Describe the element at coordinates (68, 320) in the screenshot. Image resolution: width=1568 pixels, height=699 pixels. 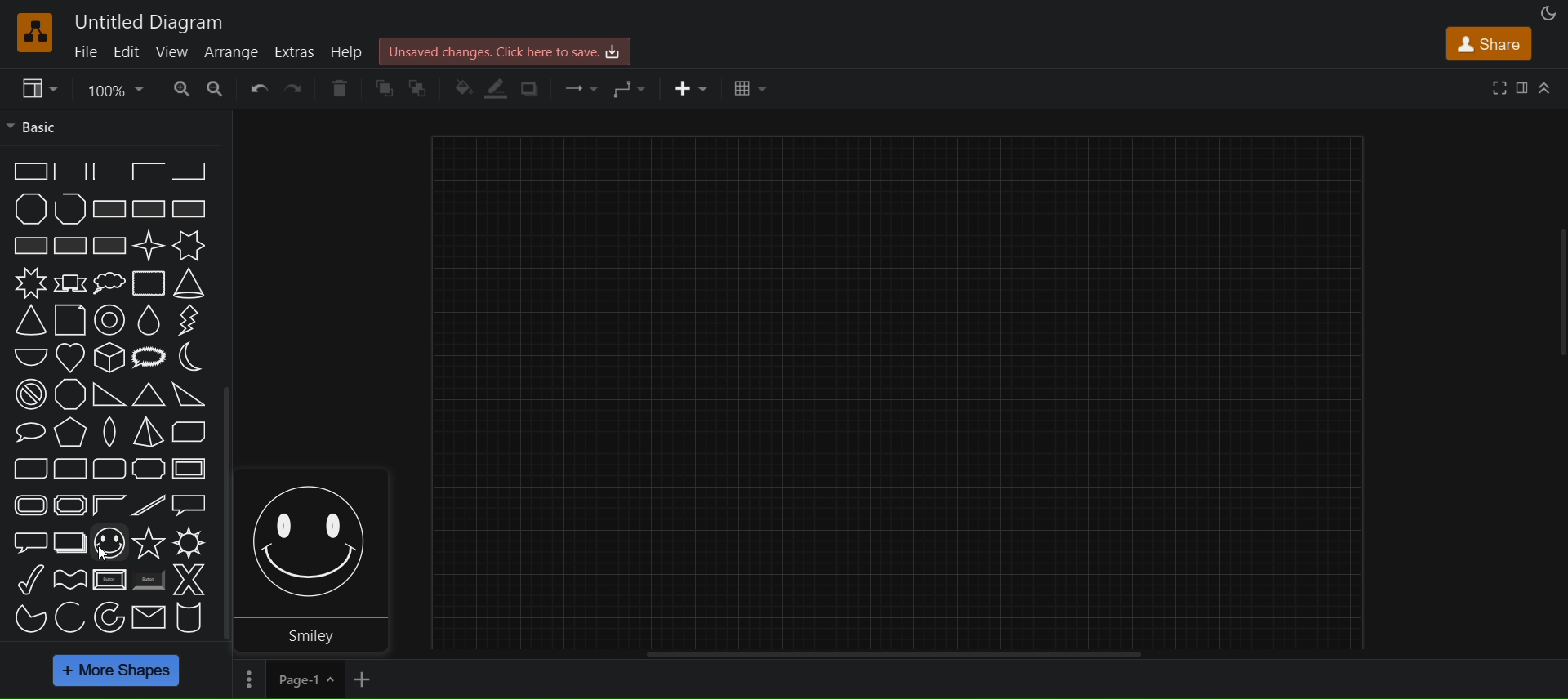
I see `document` at that location.